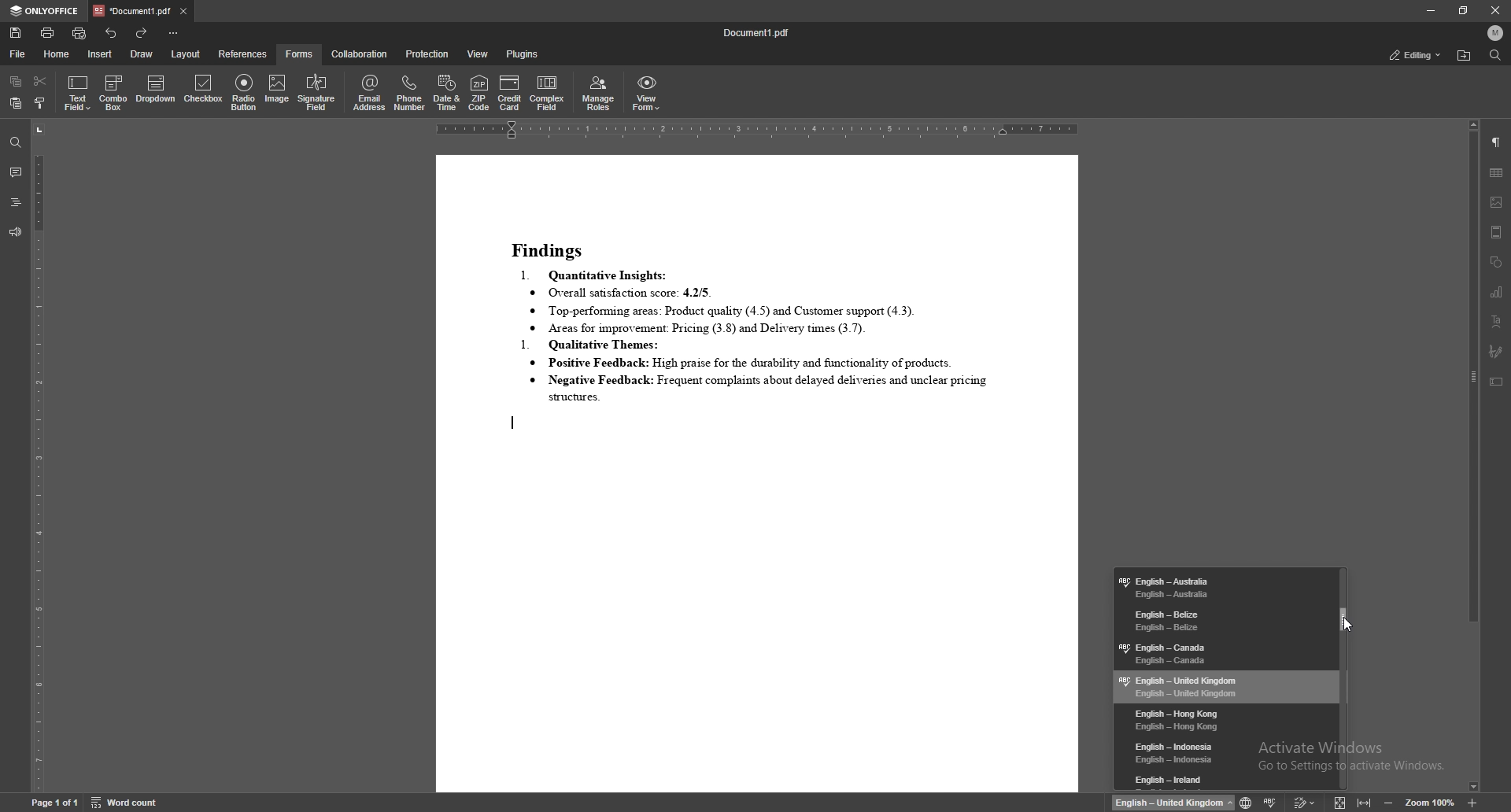 The height and width of the screenshot is (812, 1511). What do you see at coordinates (756, 474) in the screenshot?
I see `document` at bounding box center [756, 474].